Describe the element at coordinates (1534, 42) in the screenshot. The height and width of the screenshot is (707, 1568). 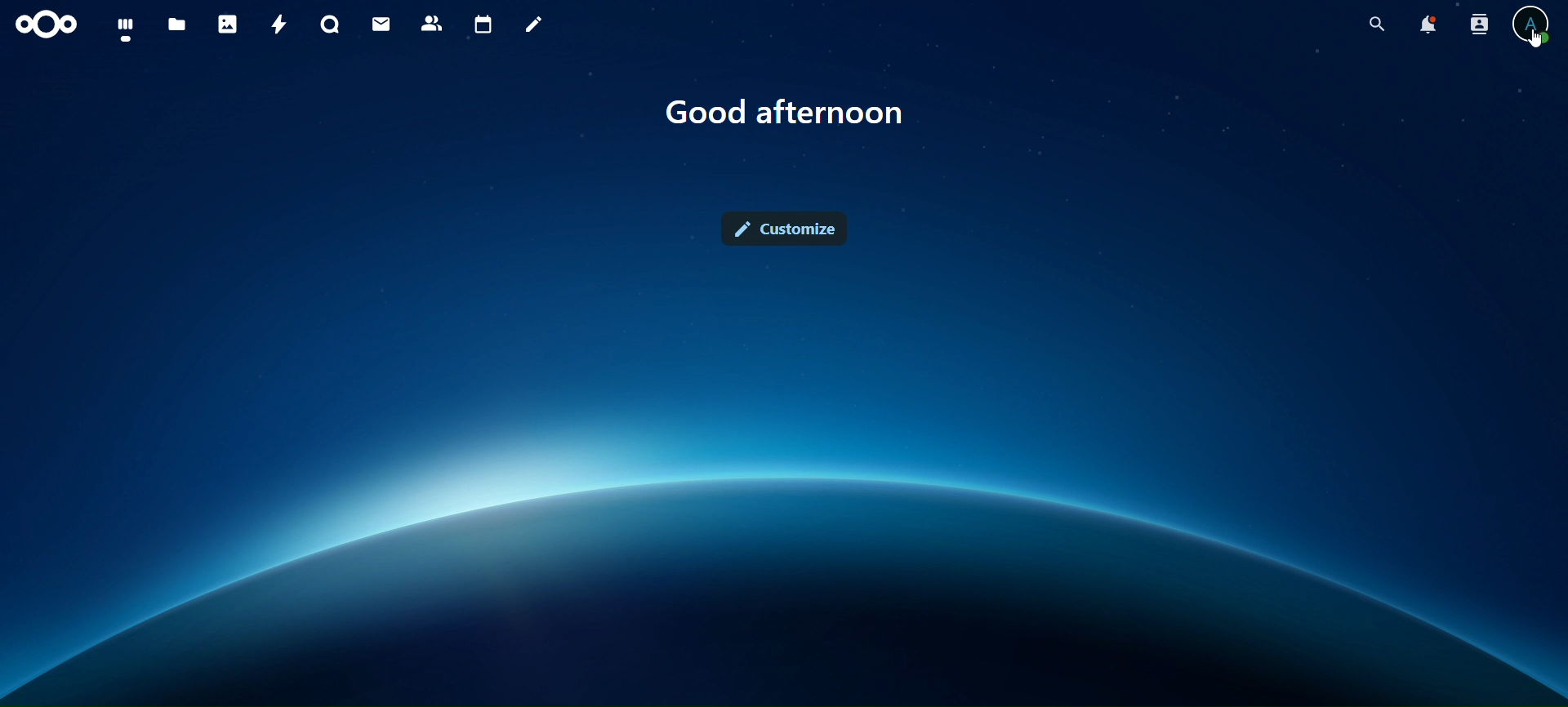
I see `Cursor` at that location.